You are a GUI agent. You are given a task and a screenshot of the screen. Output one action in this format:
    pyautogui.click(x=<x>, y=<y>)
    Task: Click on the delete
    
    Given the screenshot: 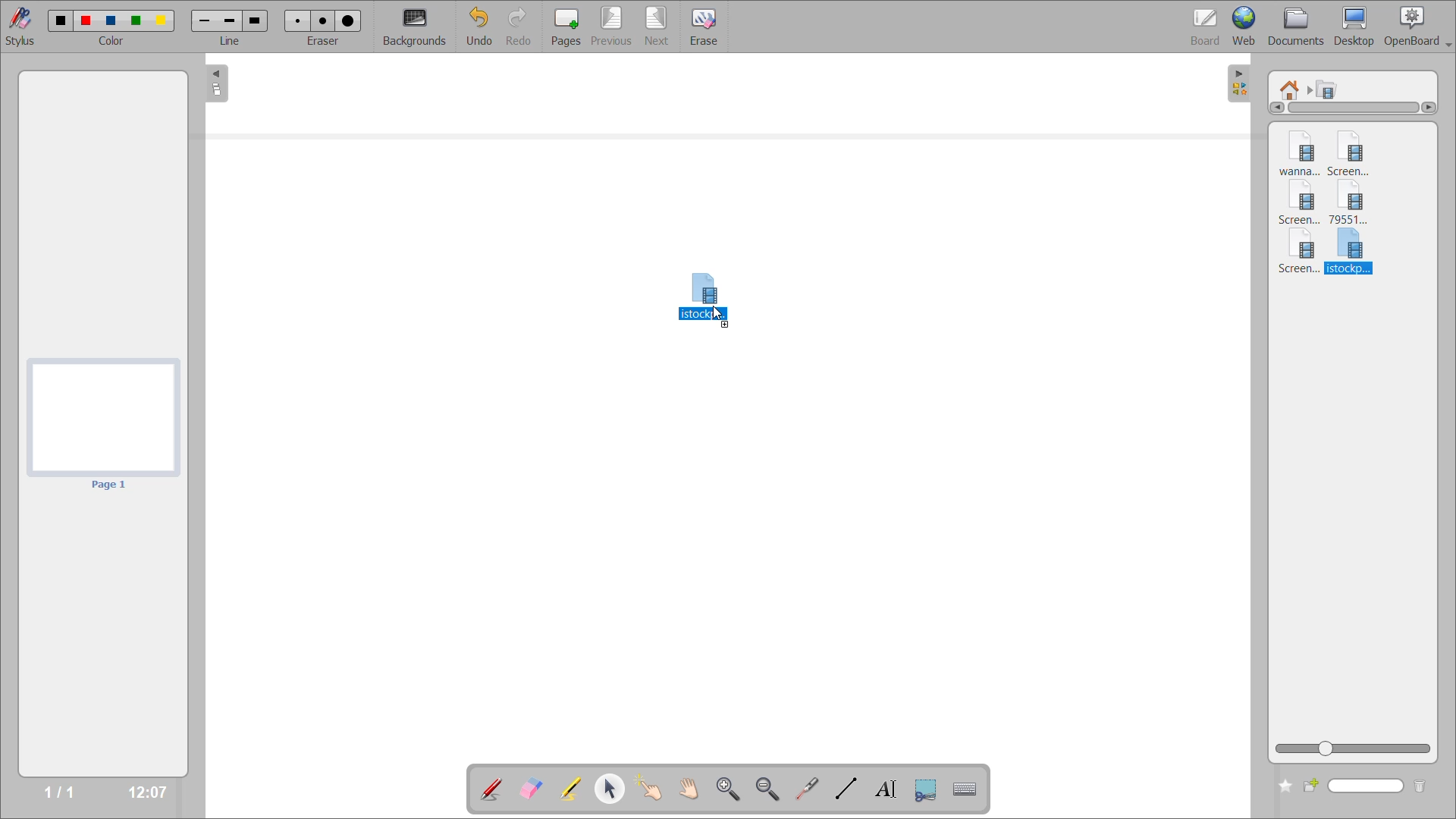 What is the action you would take?
    pyautogui.click(x=1420, y=787)
    